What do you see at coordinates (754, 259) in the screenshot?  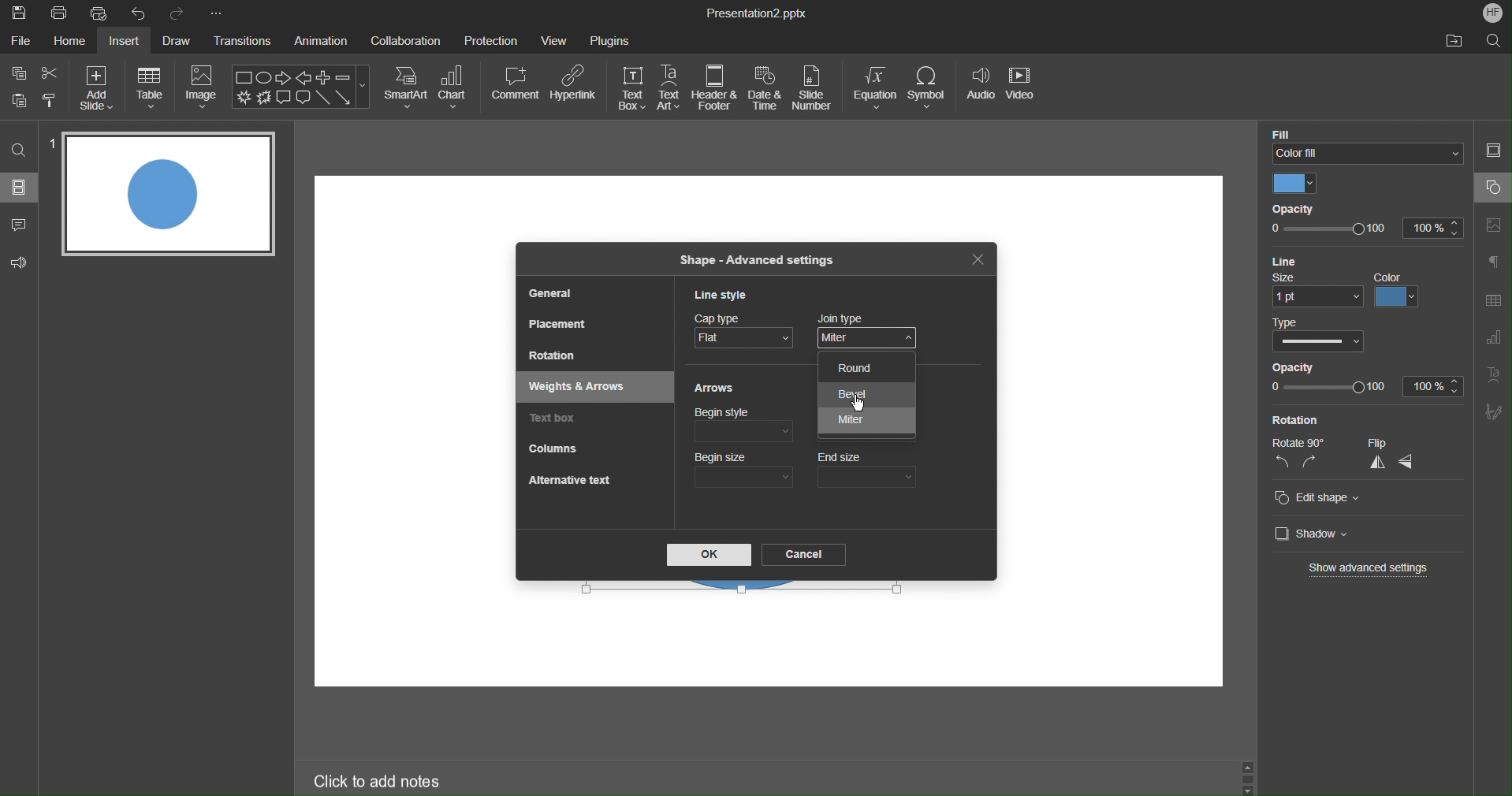 I see `Shape - Advanced Settings` at bounding box center [754, 259].